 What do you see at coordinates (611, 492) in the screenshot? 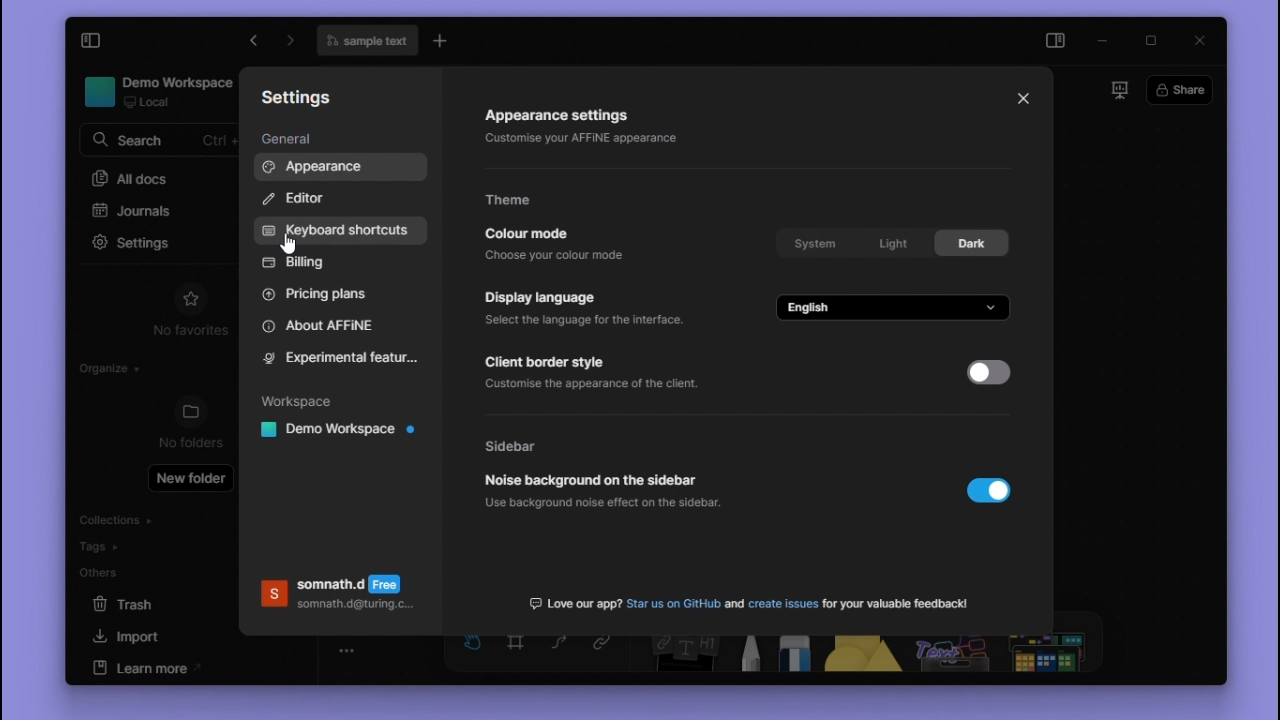
I see `Noise background on the sidebar` at bounding box center [611, 492].